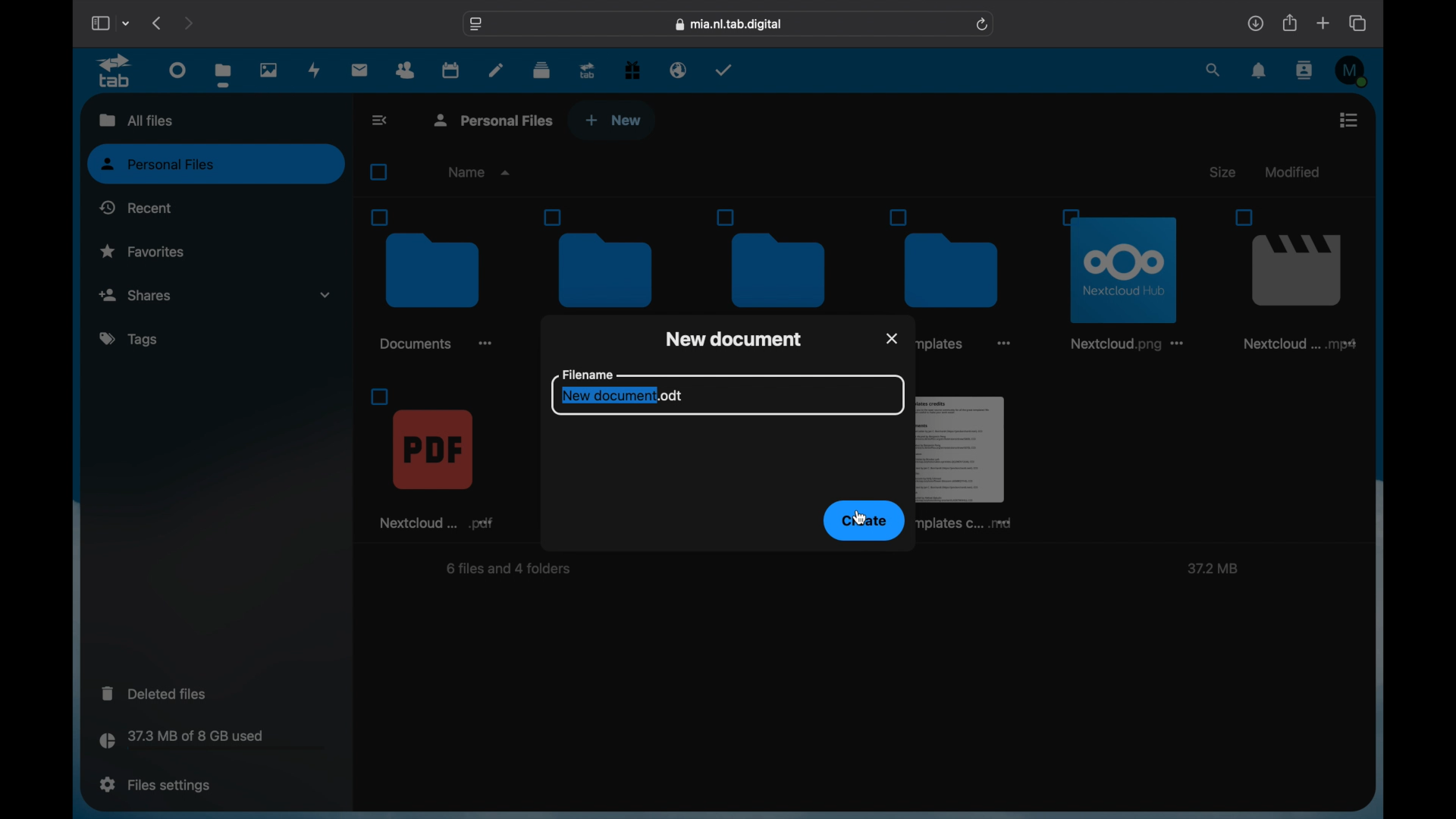  What do you see at coordinates (613, 121) in the screenshot?
I see `new` at bounding box center [613, 121].